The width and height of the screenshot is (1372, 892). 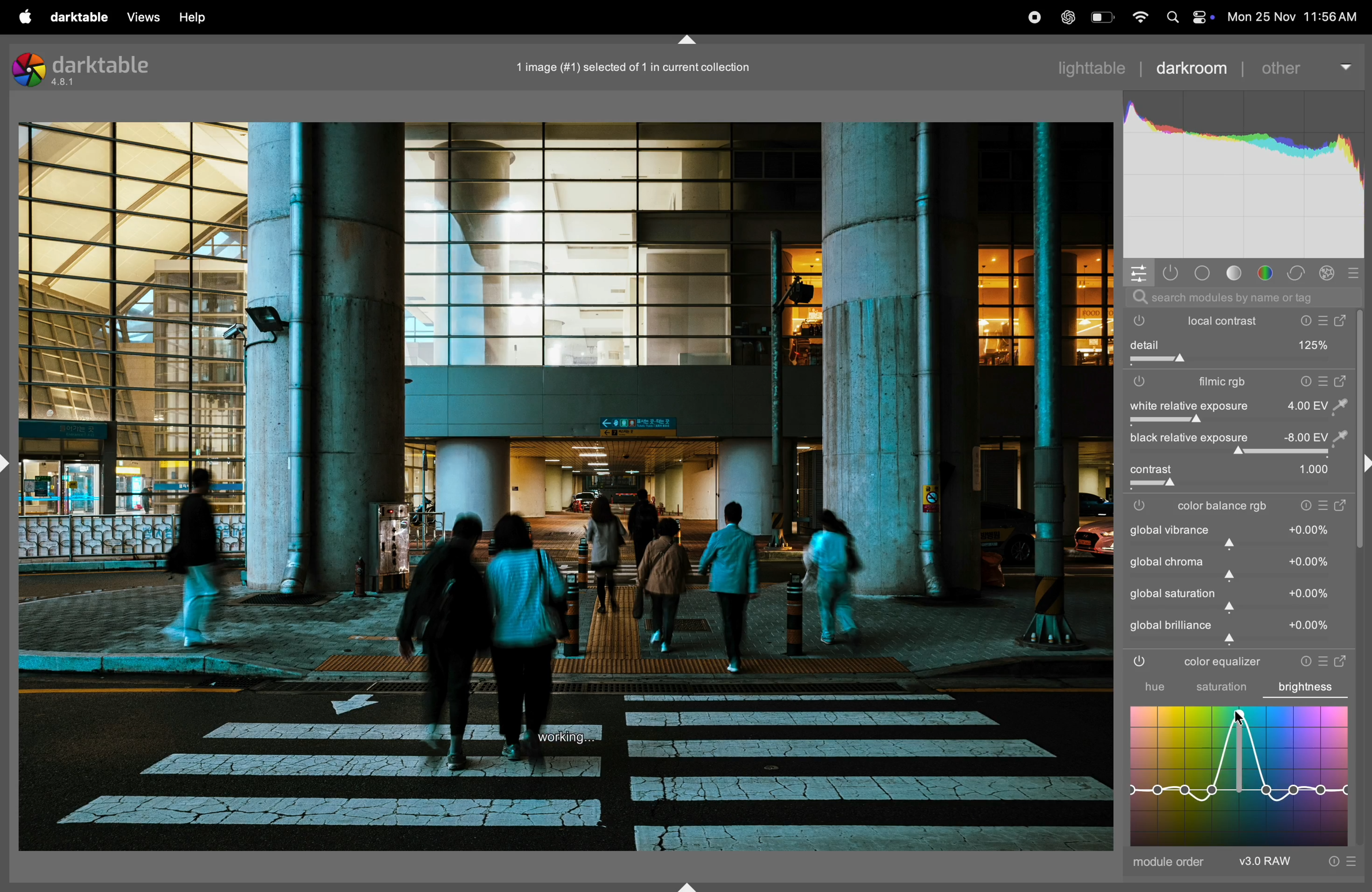 What do you see at coordinates (1140, 381) in the screenshot?
I see `filmic rgb switch off` at bounding box center [1140, 381].